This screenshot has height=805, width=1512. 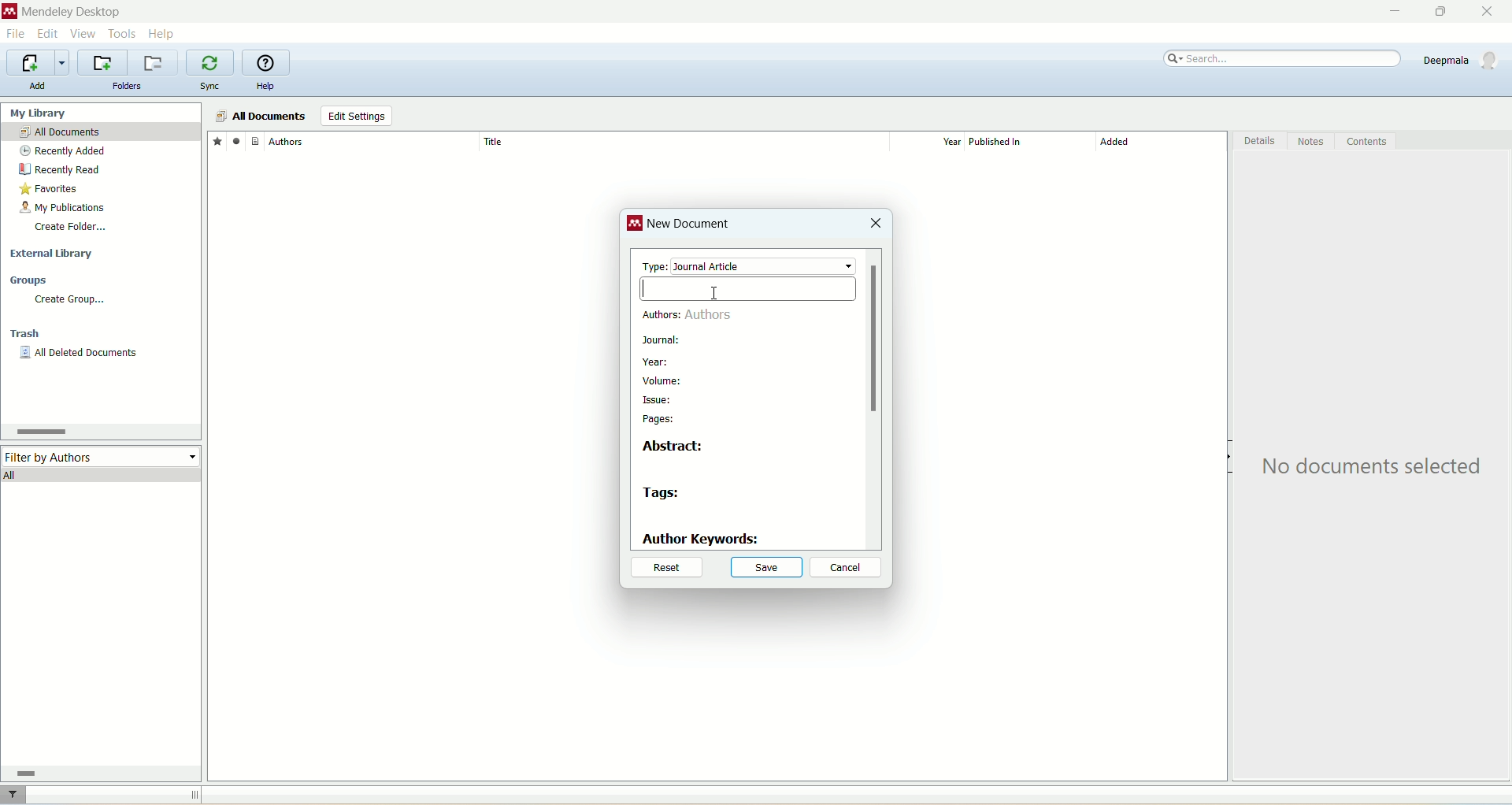 What do you see at coordinates (1494, 12) in the screenshot?
I see `close` at bounding box center [1494, 12].